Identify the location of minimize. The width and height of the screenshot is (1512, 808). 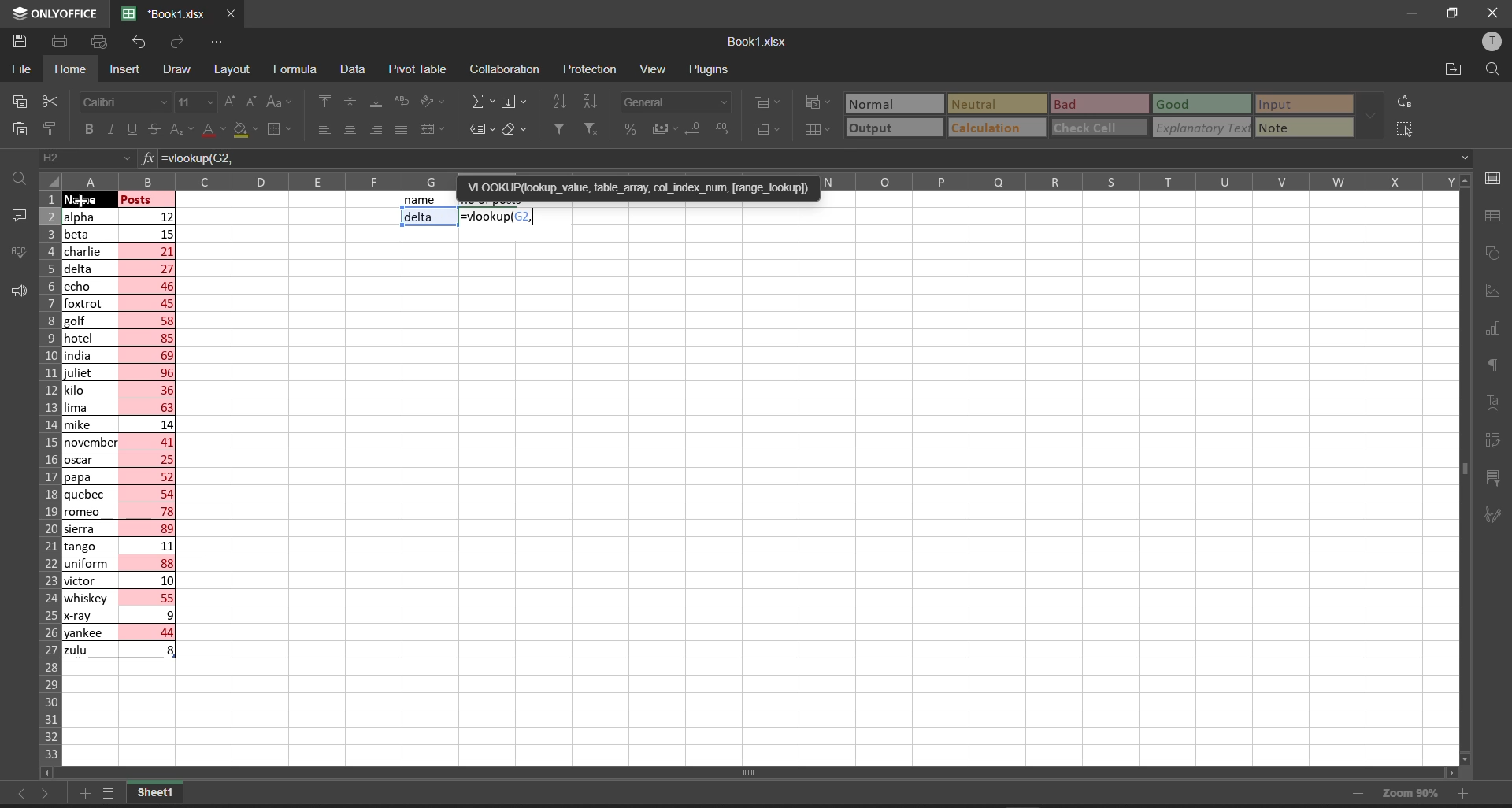
(1417, 14).